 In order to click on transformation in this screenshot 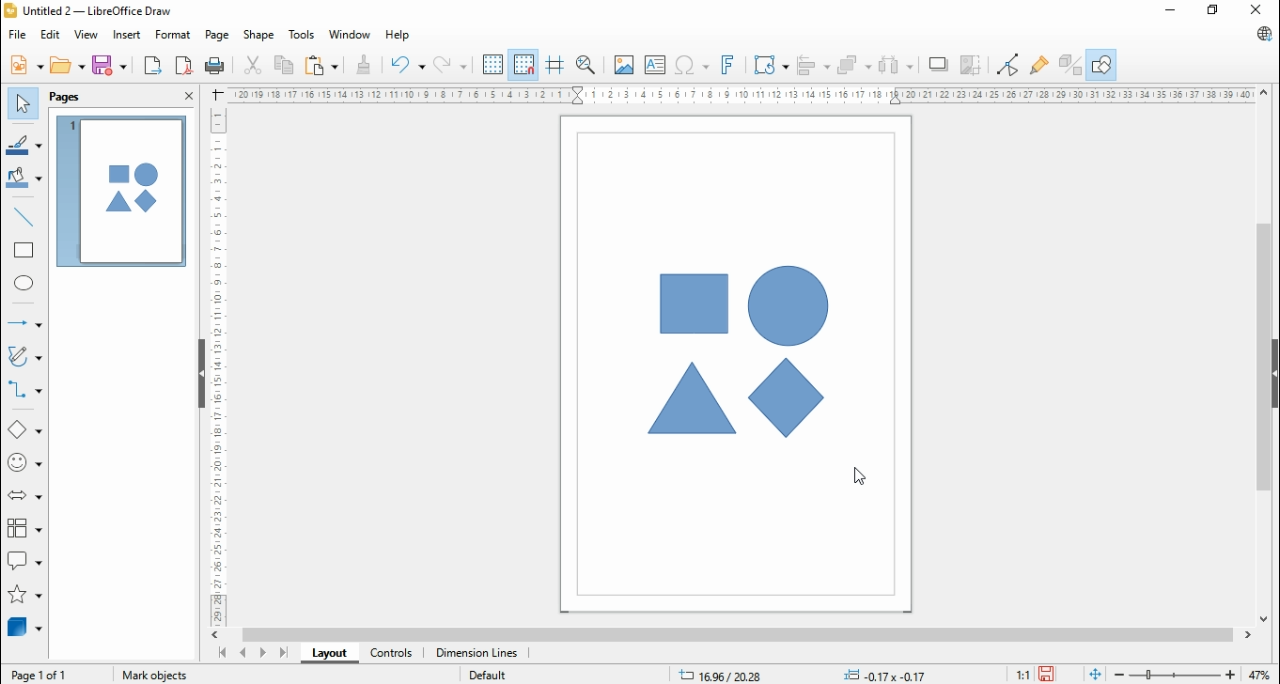, I will do `click(771, 64)`.